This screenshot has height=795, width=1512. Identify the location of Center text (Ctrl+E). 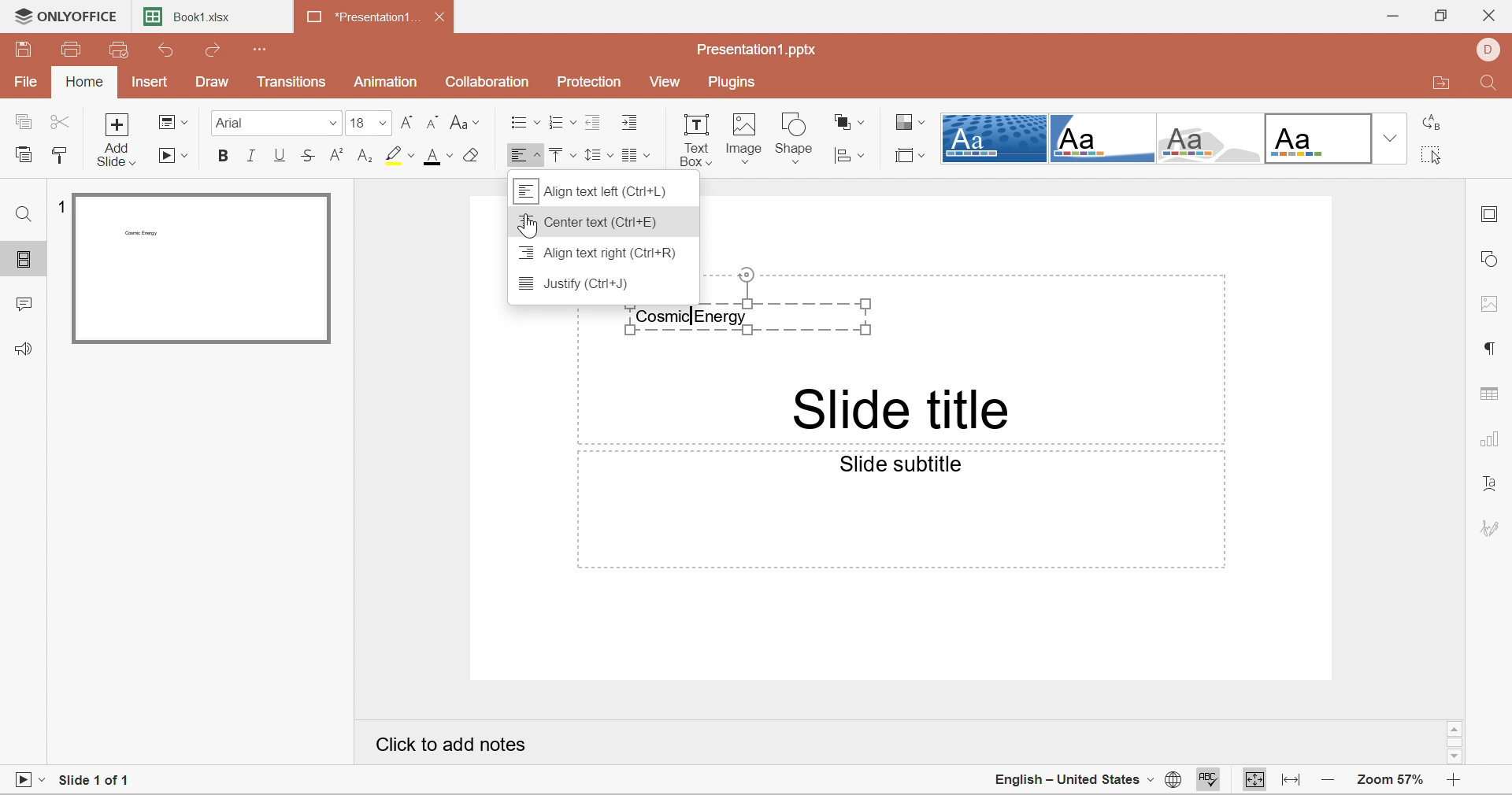
(591, 223).